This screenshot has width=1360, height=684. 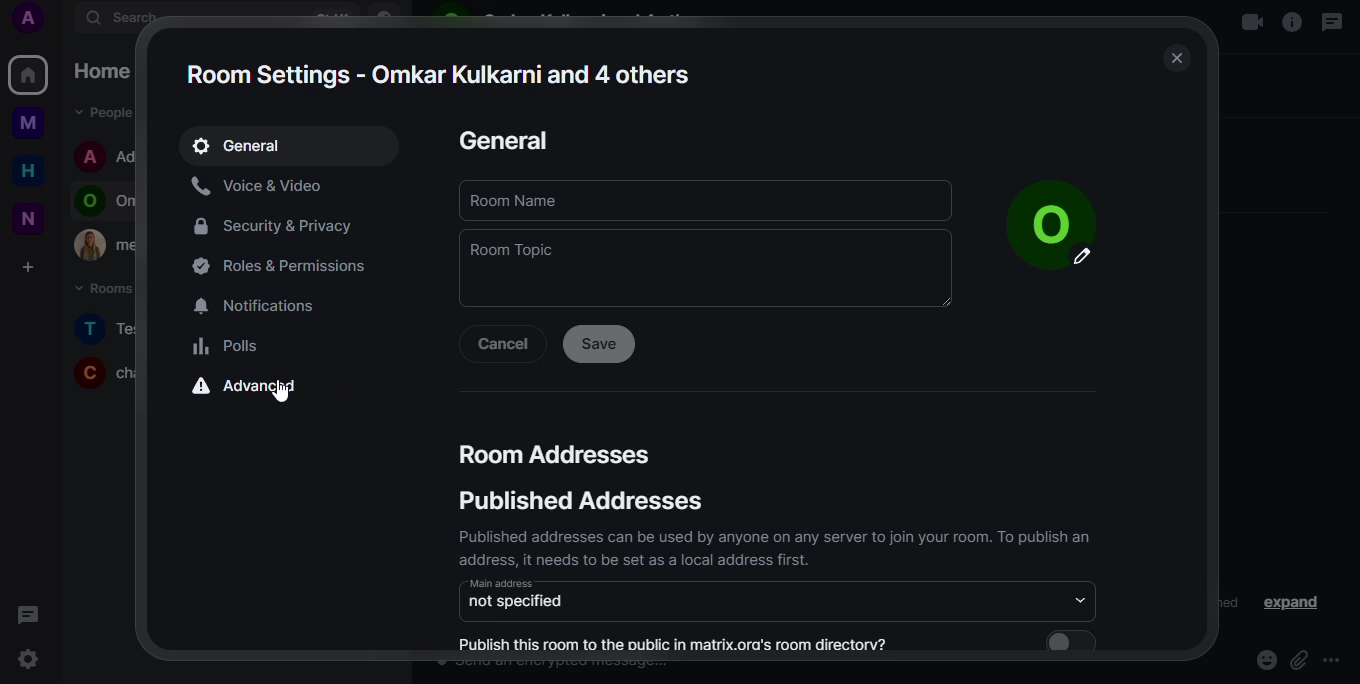 What do you see at coordinates (1263, 661) in the screenshot?
I see `emoji` at bounding box center [1263, 661].